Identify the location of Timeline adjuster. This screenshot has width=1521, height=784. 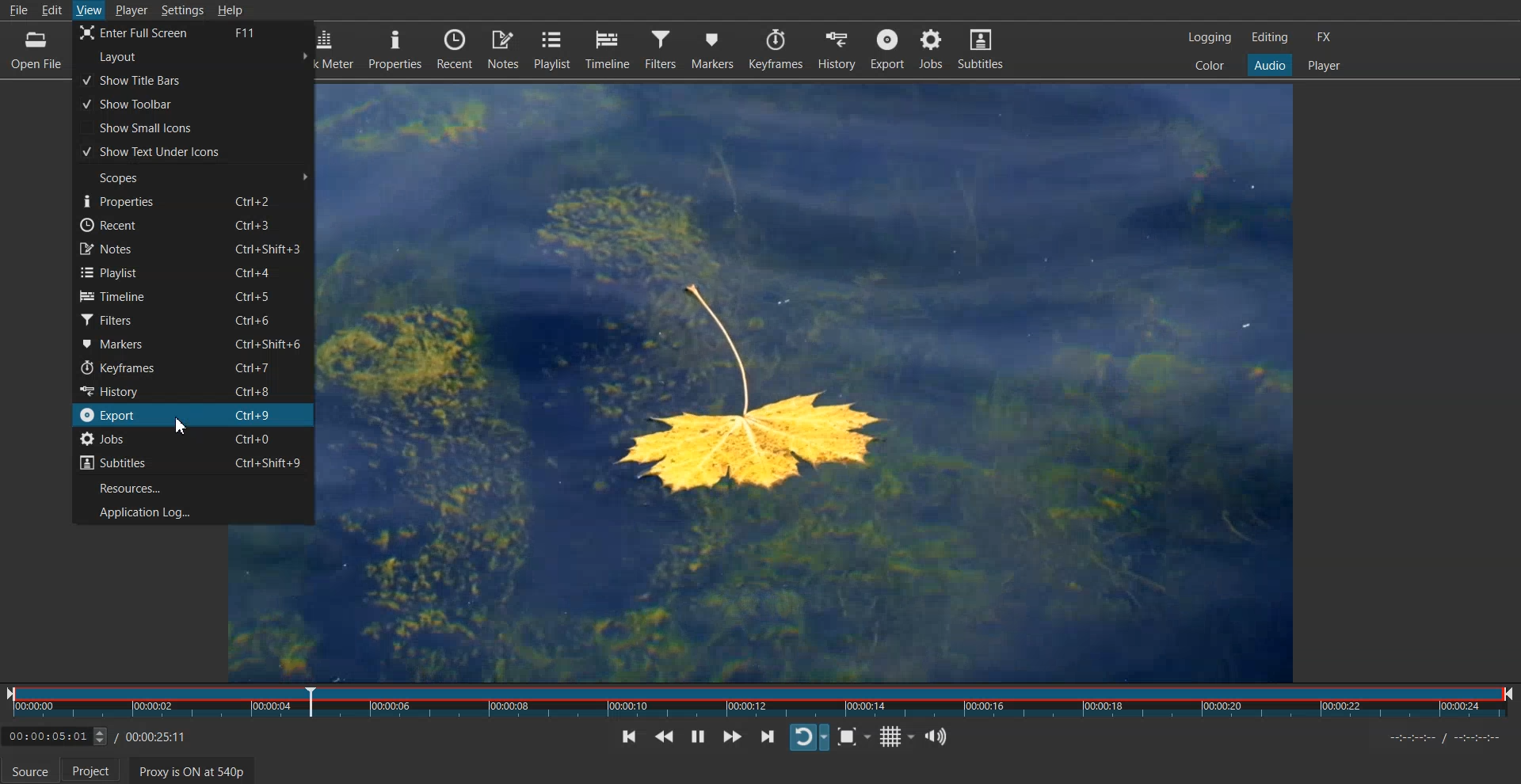
(99, 739).